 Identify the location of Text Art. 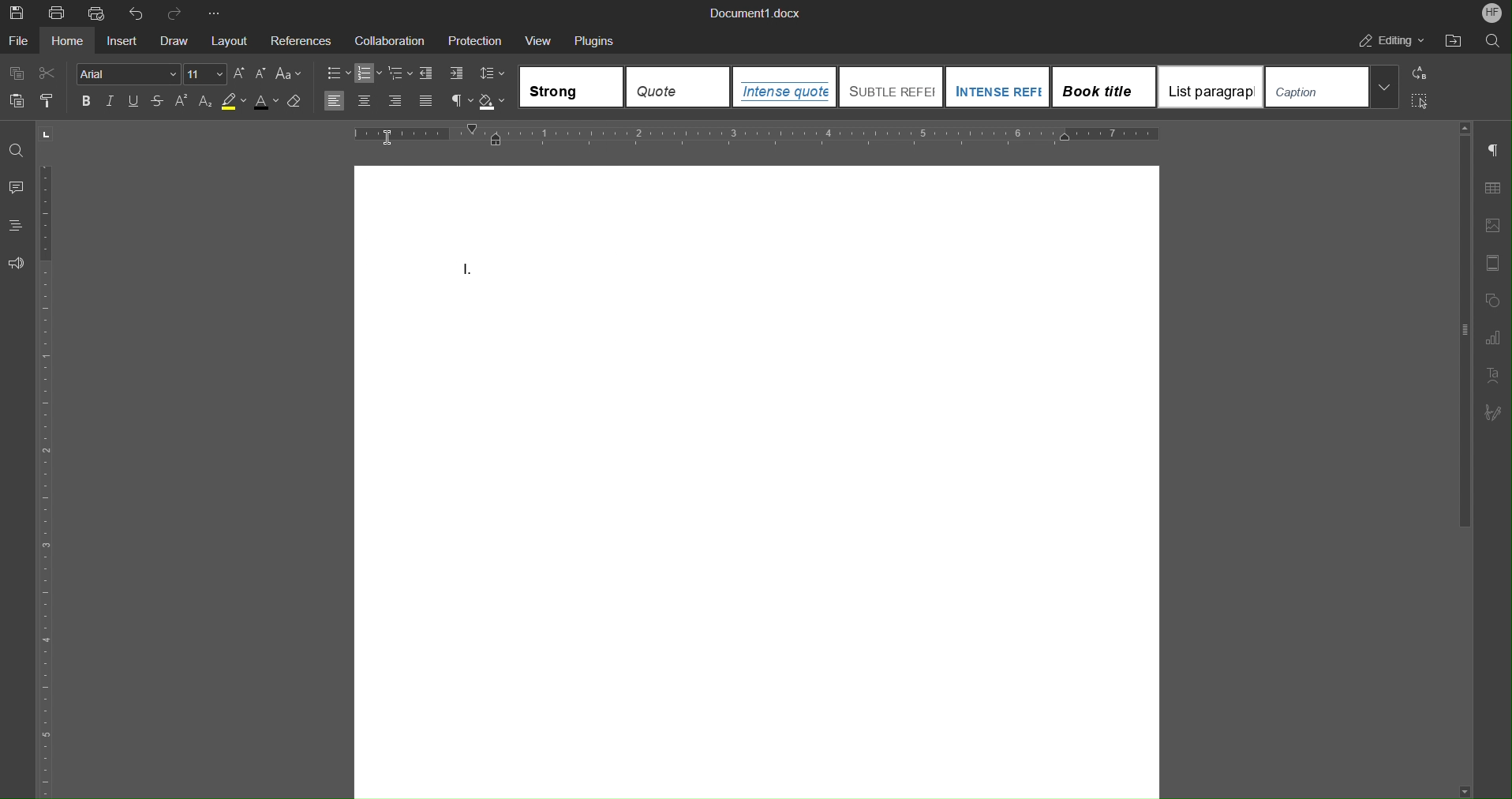
(1490, 376).